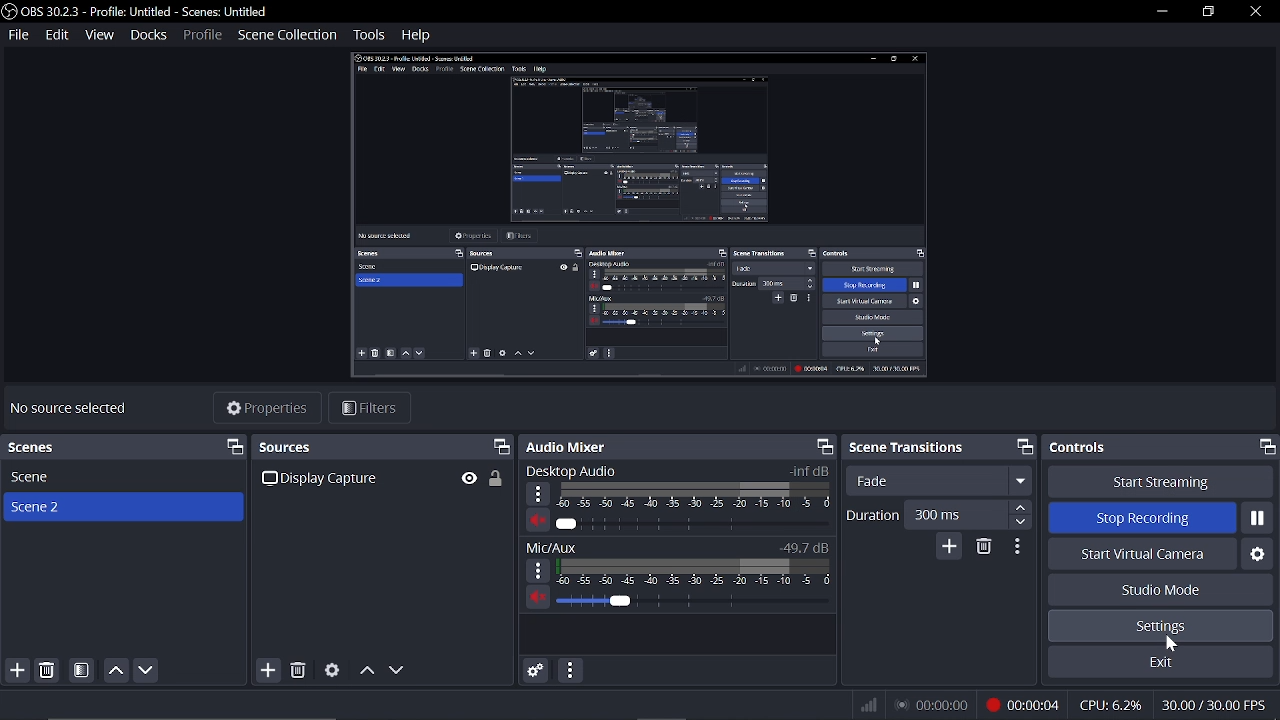  Describe the element at coordinates (691, 525) in the screenshot. I see `display audio volume` at that location.